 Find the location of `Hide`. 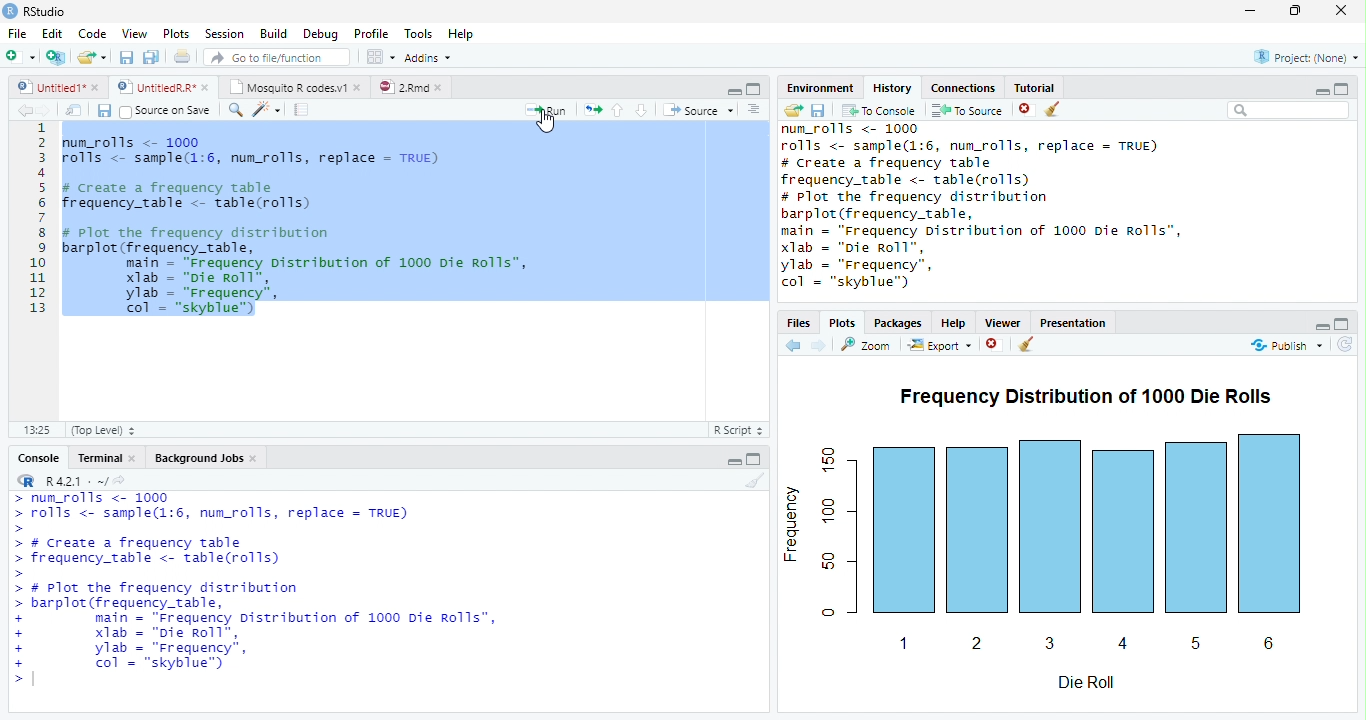

Hide is located at coordinates (1322, 327).